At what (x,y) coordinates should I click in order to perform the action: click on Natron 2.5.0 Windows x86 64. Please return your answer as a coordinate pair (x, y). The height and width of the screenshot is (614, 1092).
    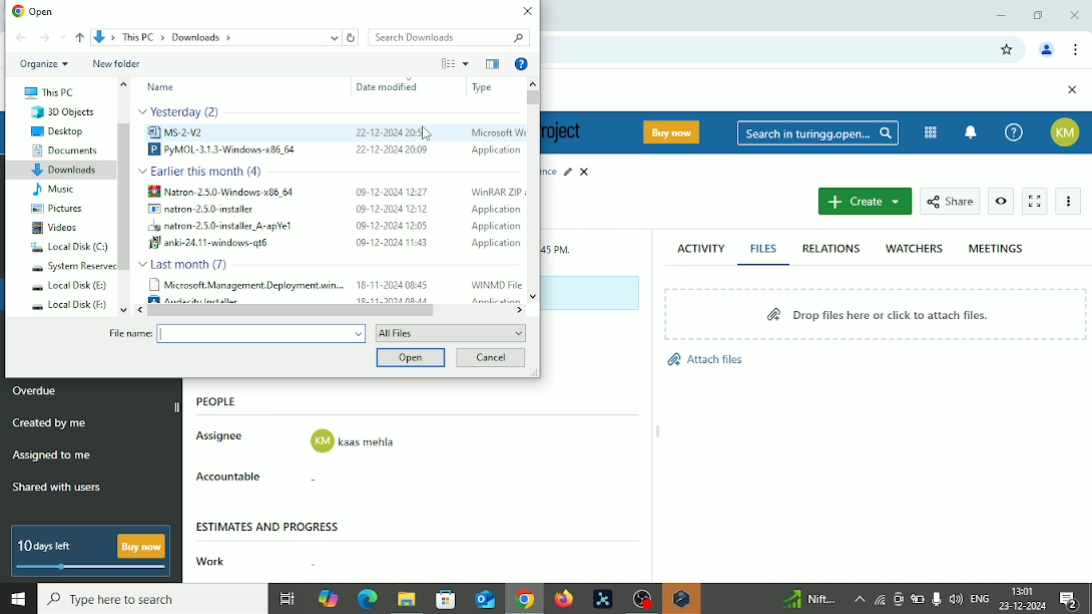
    Looking at the image, I should click on (220, 192).